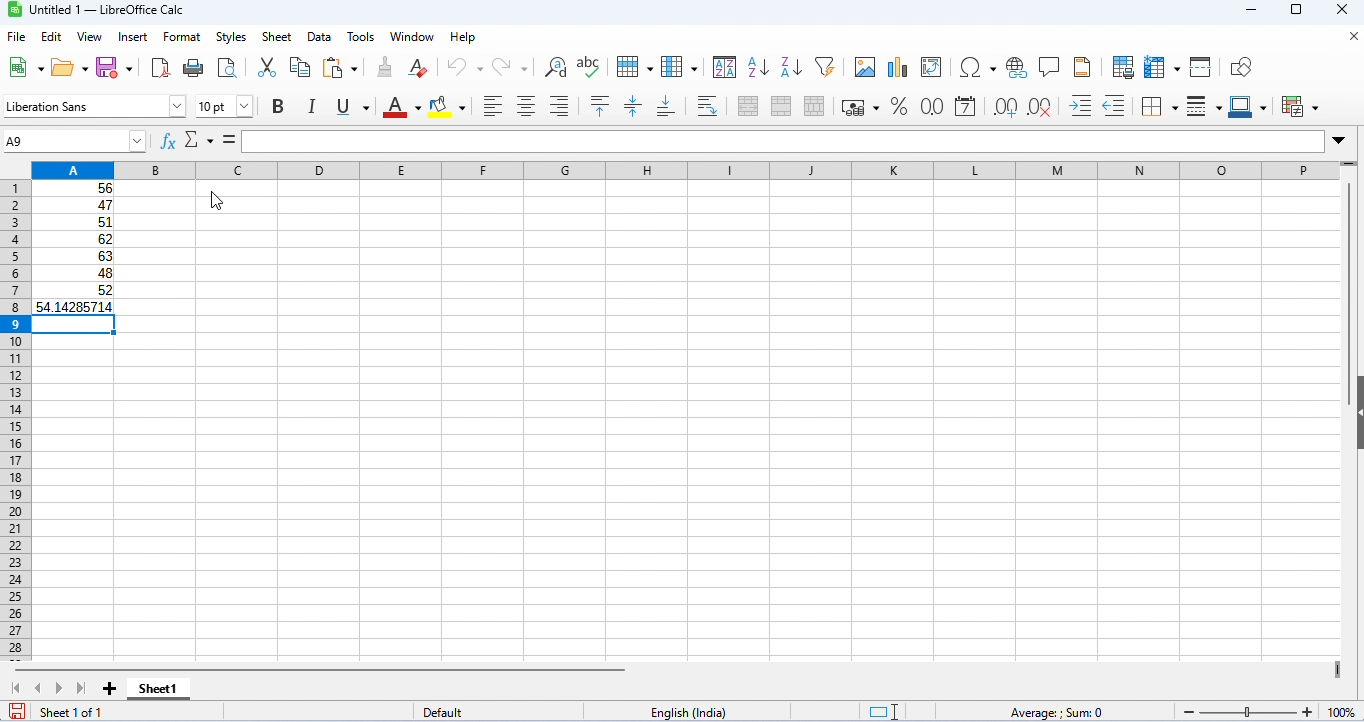  Describe the element at coordinates (1204, 107) in the screenshot. I see `border style` at that location.